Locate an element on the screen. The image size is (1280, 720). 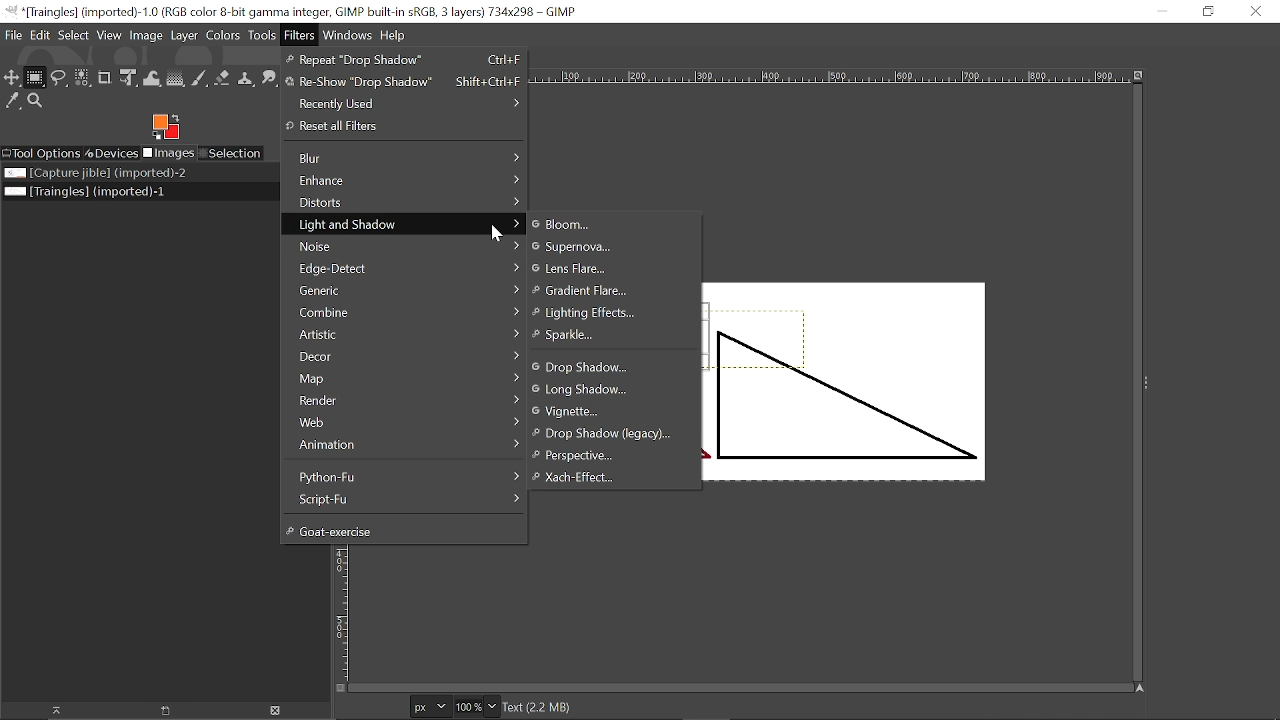
Current window is located at coordinates (294, 12).